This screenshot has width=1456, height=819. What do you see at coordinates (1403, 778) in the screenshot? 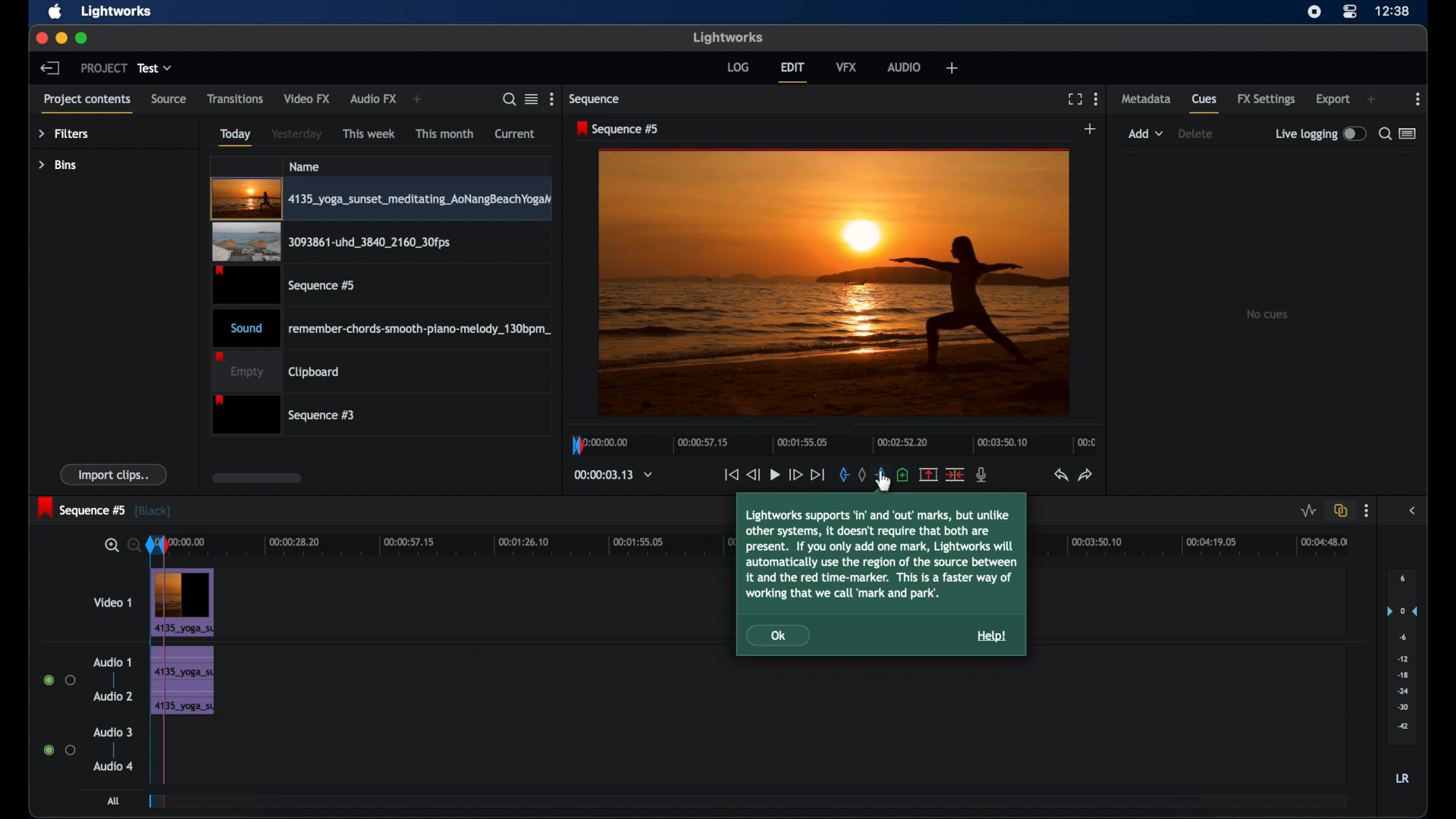
I see `lr` at bounding box center [1403, 778].